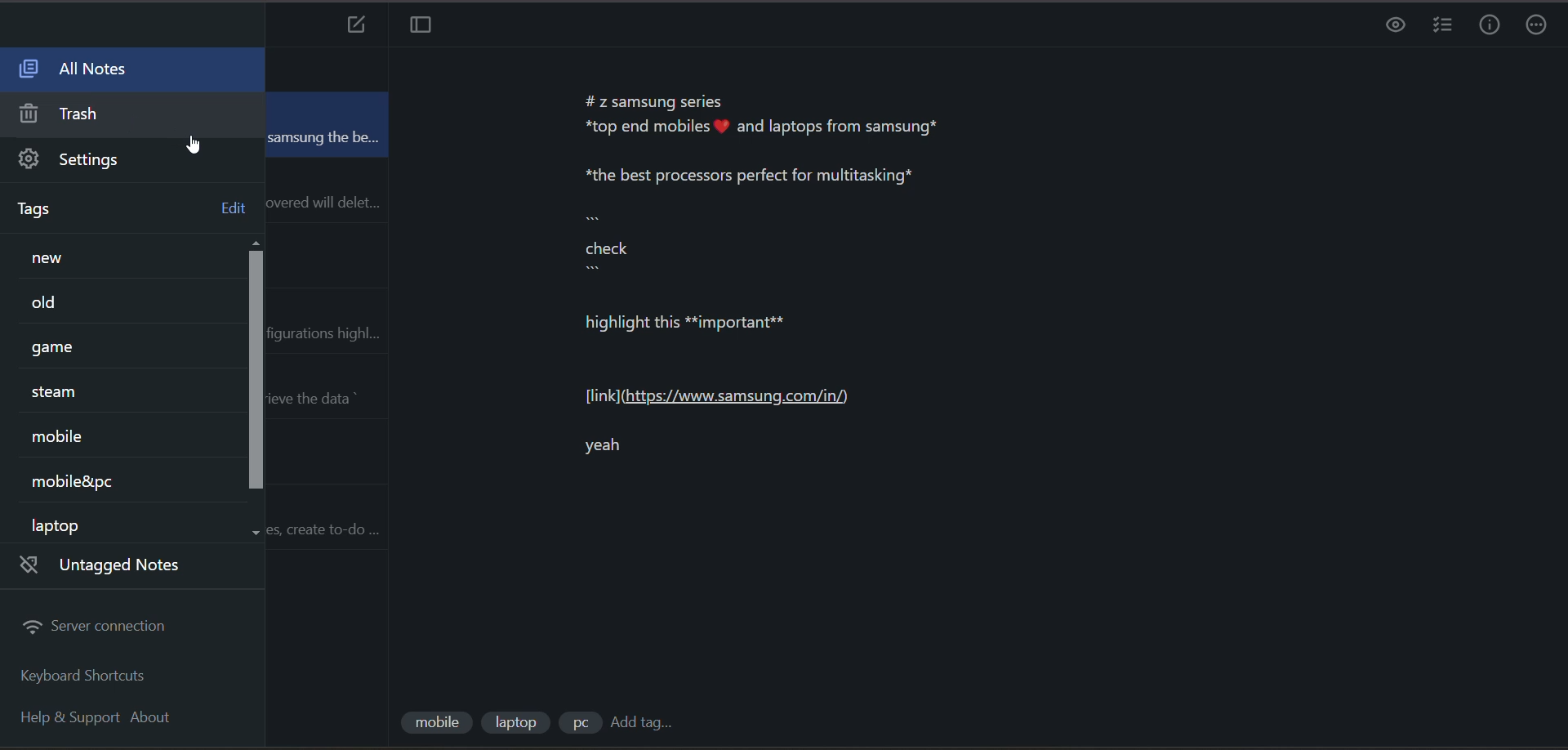 This screenshot has width=1568, height=750. What do you see at coordinates (83, 114) in the screenshot?
I see `trash` at bounding box center [83, 114].